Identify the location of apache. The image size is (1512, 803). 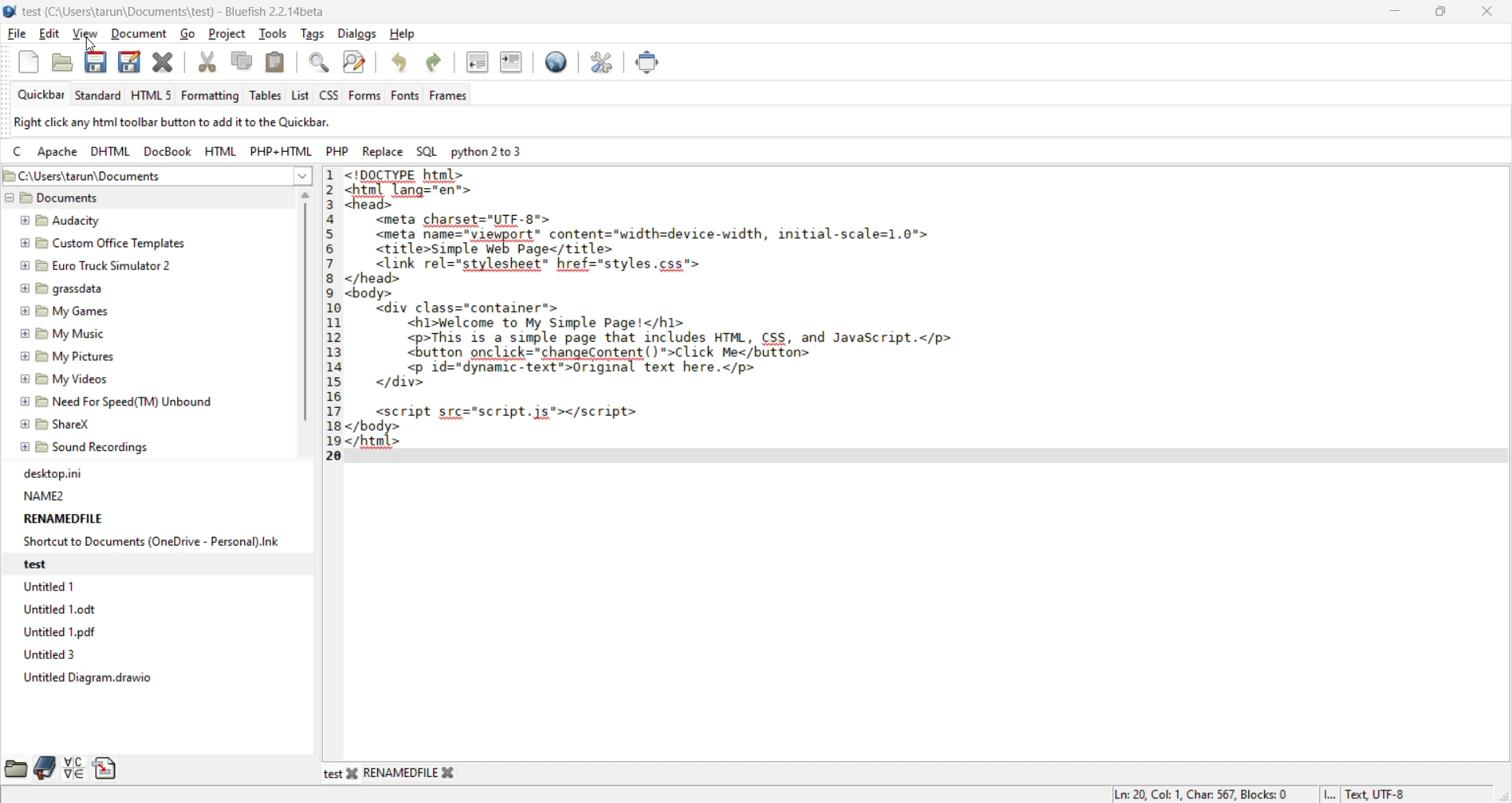
(57, 154).